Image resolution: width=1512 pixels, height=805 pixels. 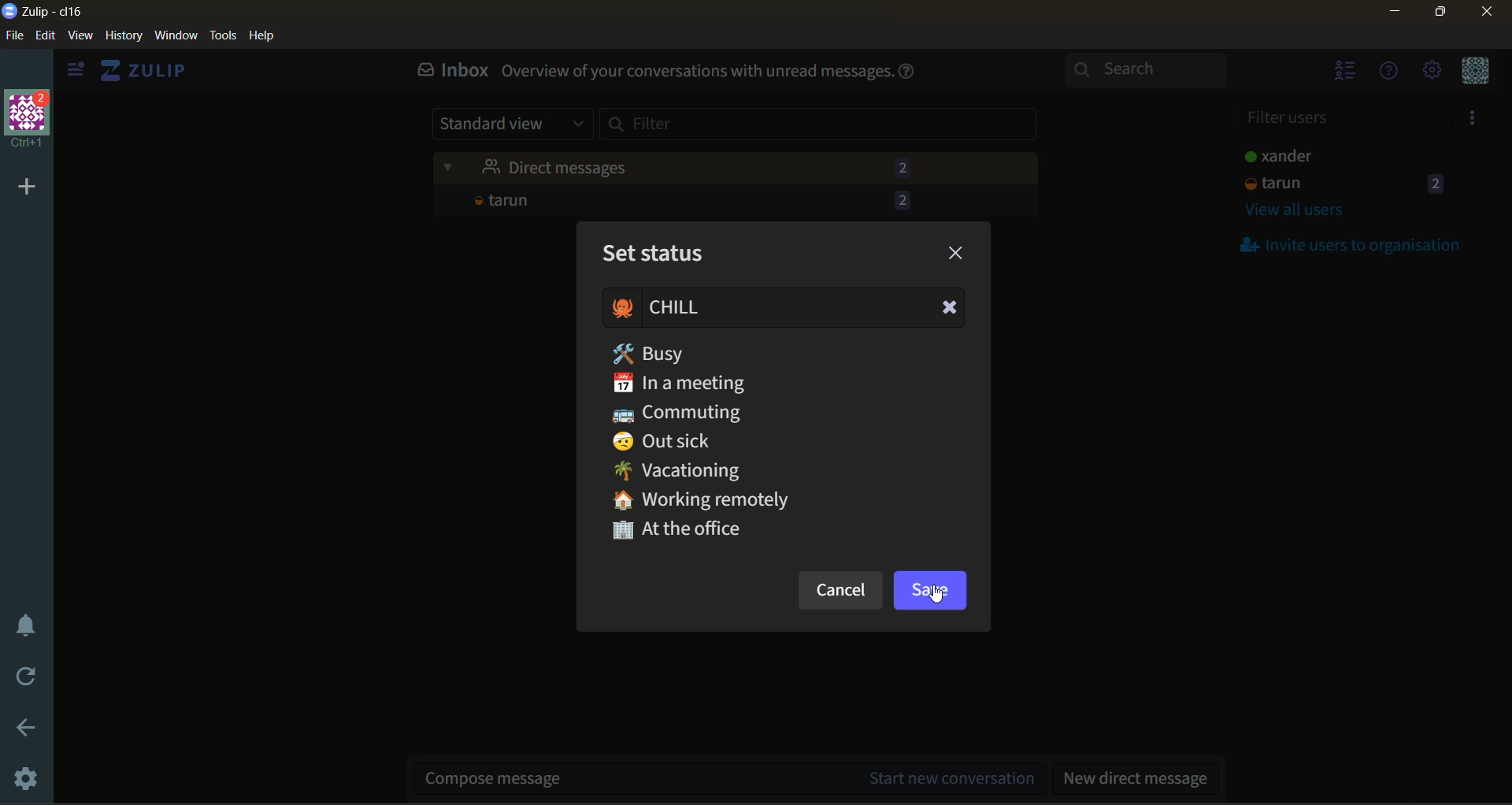 What do you see at coordinates (619, 309) in the screenshot?
I see `emoji added` at bounding box center [619, 309].